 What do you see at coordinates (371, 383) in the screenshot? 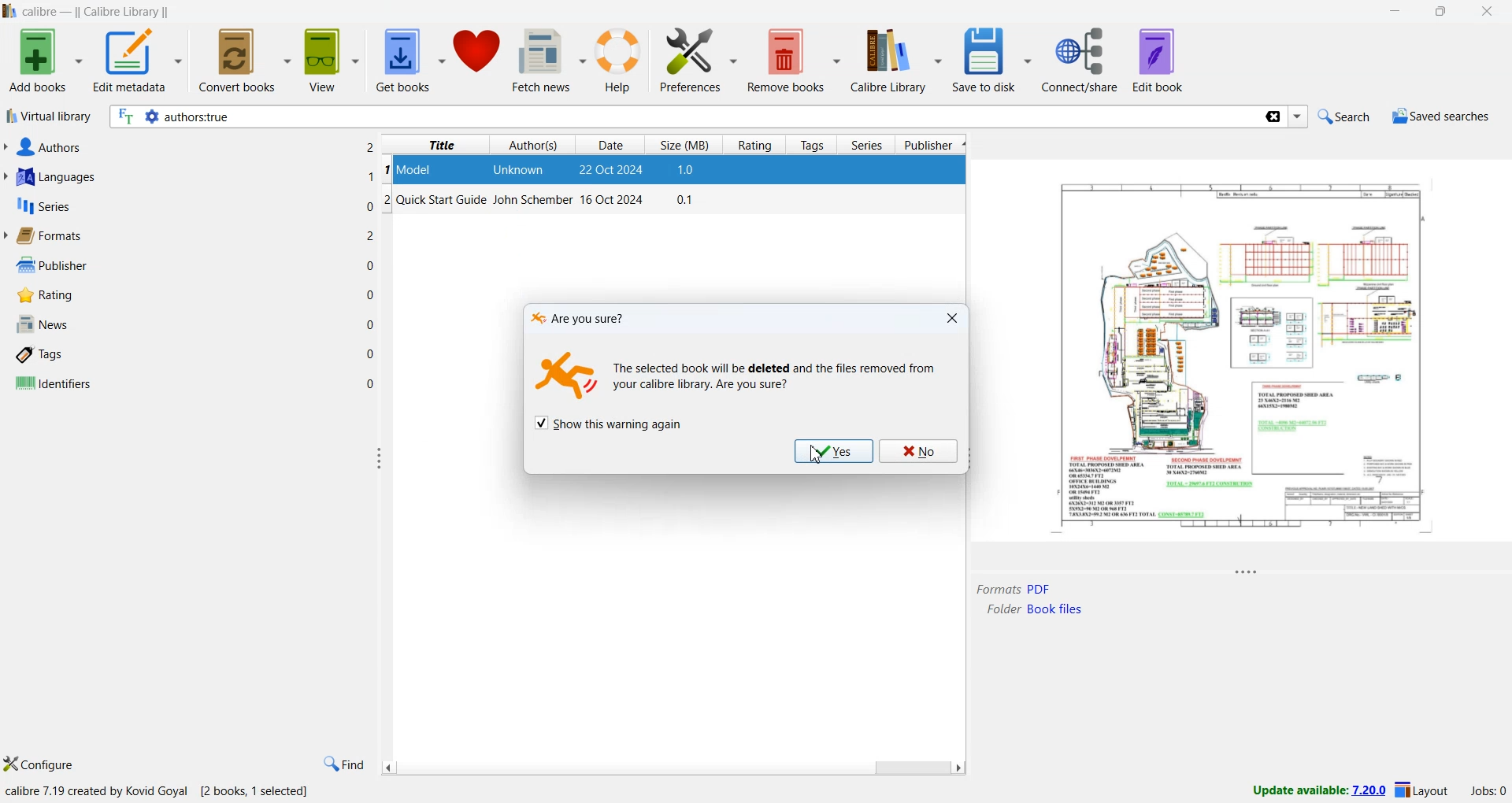
I see `0` at bounding box center [371, 383].